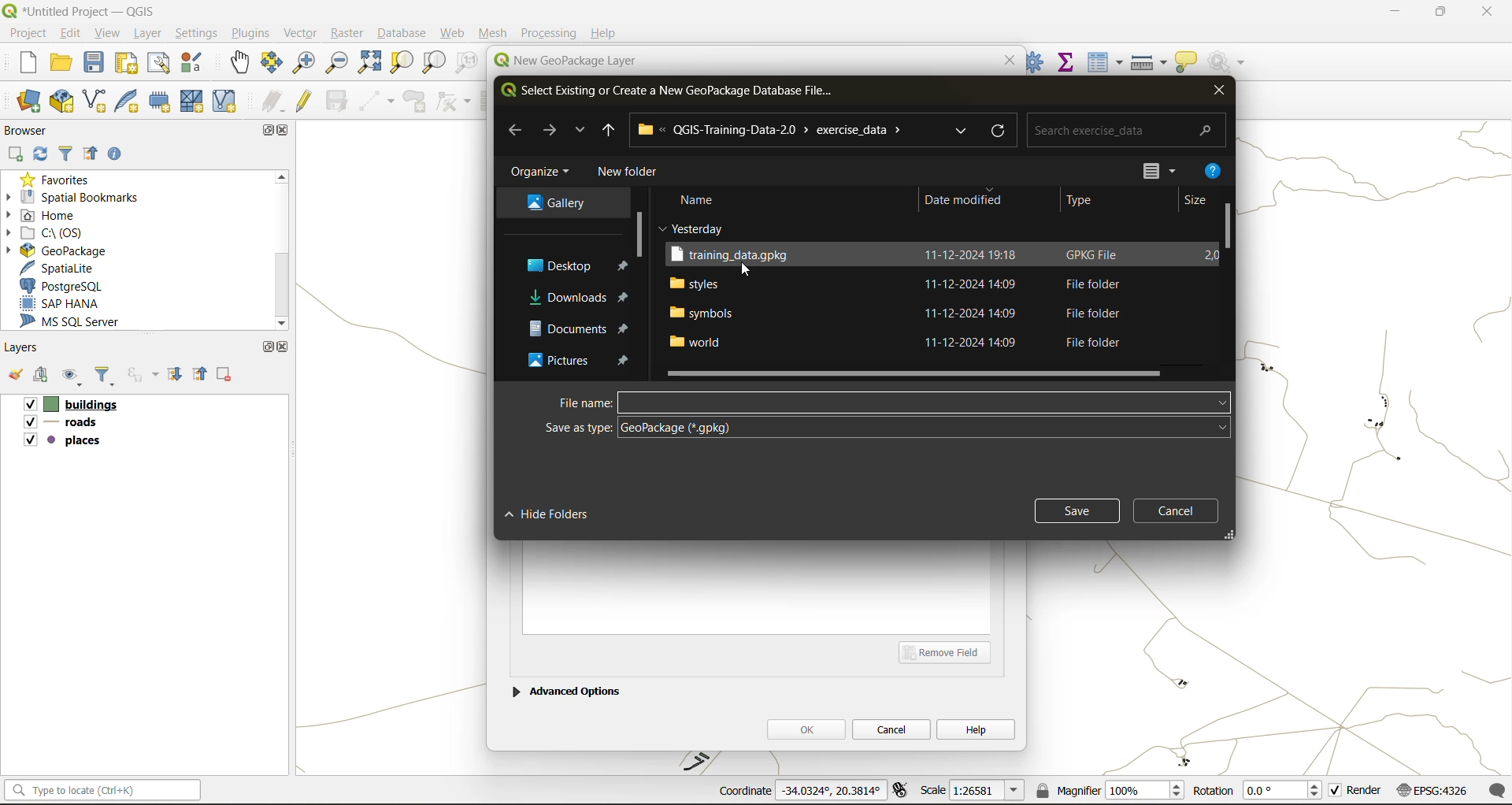 The image size is (1512, 805). What do you see at coordinates (20, 65) in the screenshot?
I see `new` at bounding box center [20, 65].